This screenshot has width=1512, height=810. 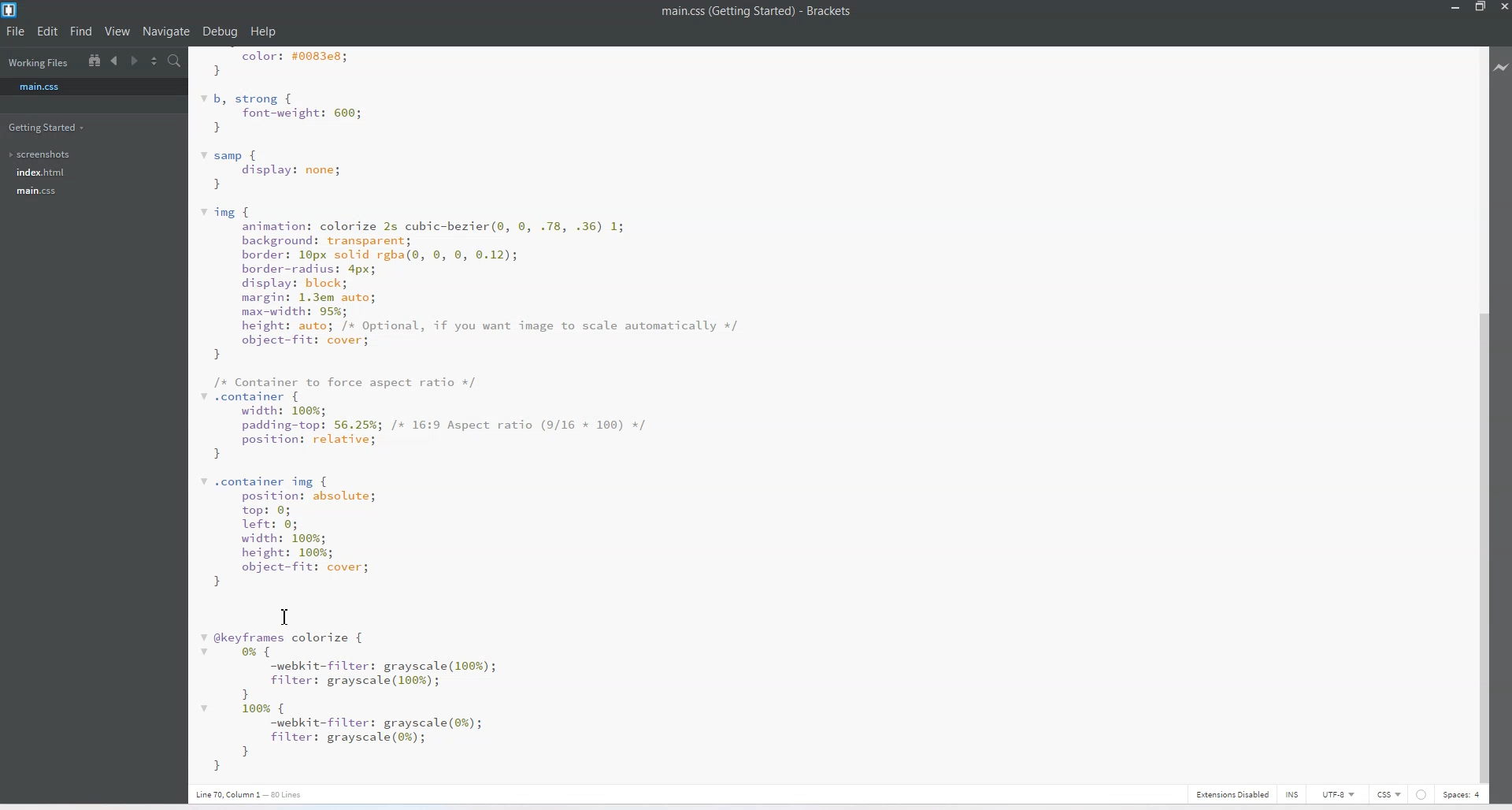 What do you see at coordinates (1502, 65) in the screenshot?
I see `Live Preview` at bounding box center [1502, 65].